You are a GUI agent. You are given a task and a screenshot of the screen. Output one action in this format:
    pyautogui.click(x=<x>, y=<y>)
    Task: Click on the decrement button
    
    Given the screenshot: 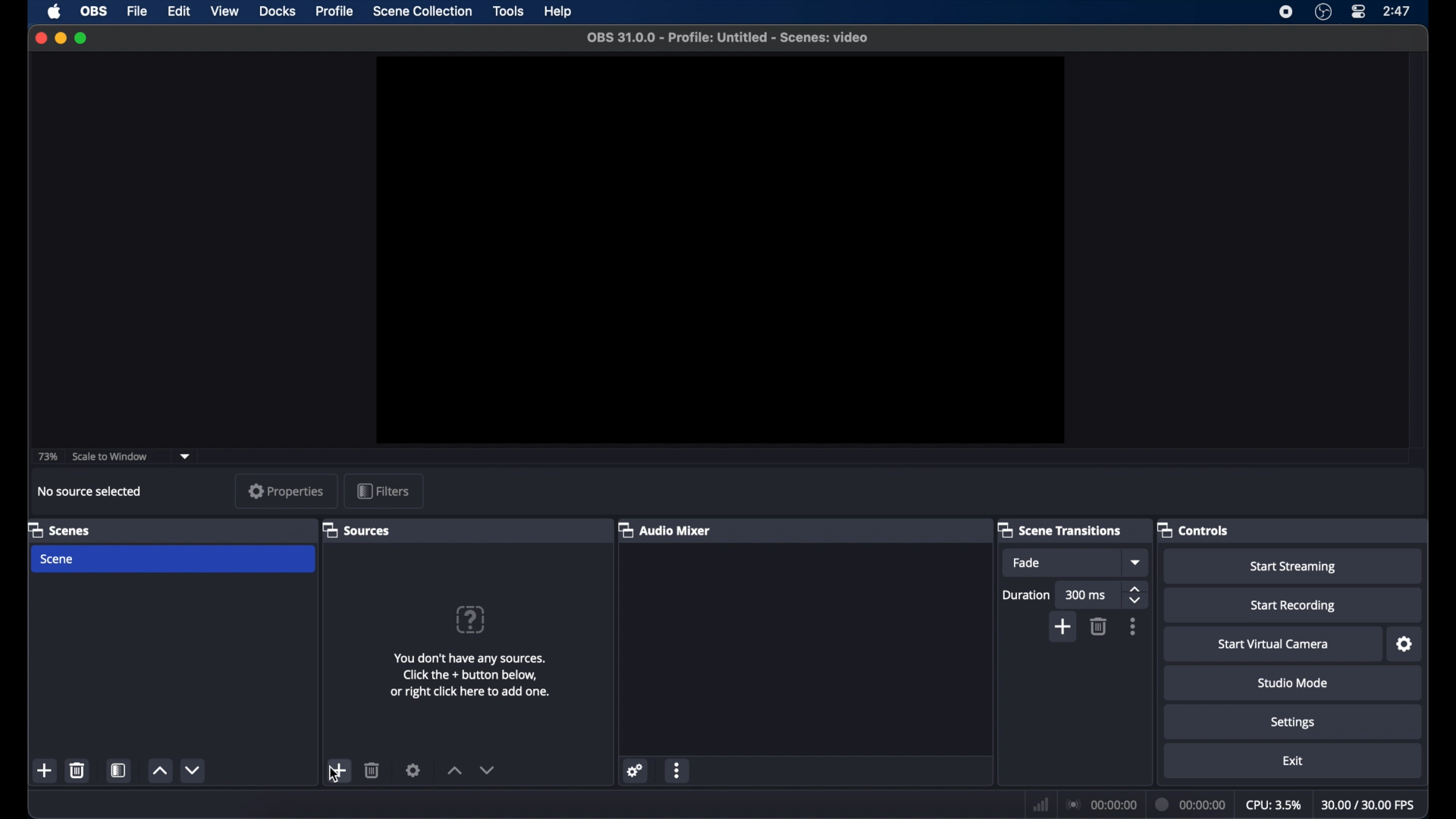 What is the action you would take?
    pyautogui.click(x=487, y=770)
    